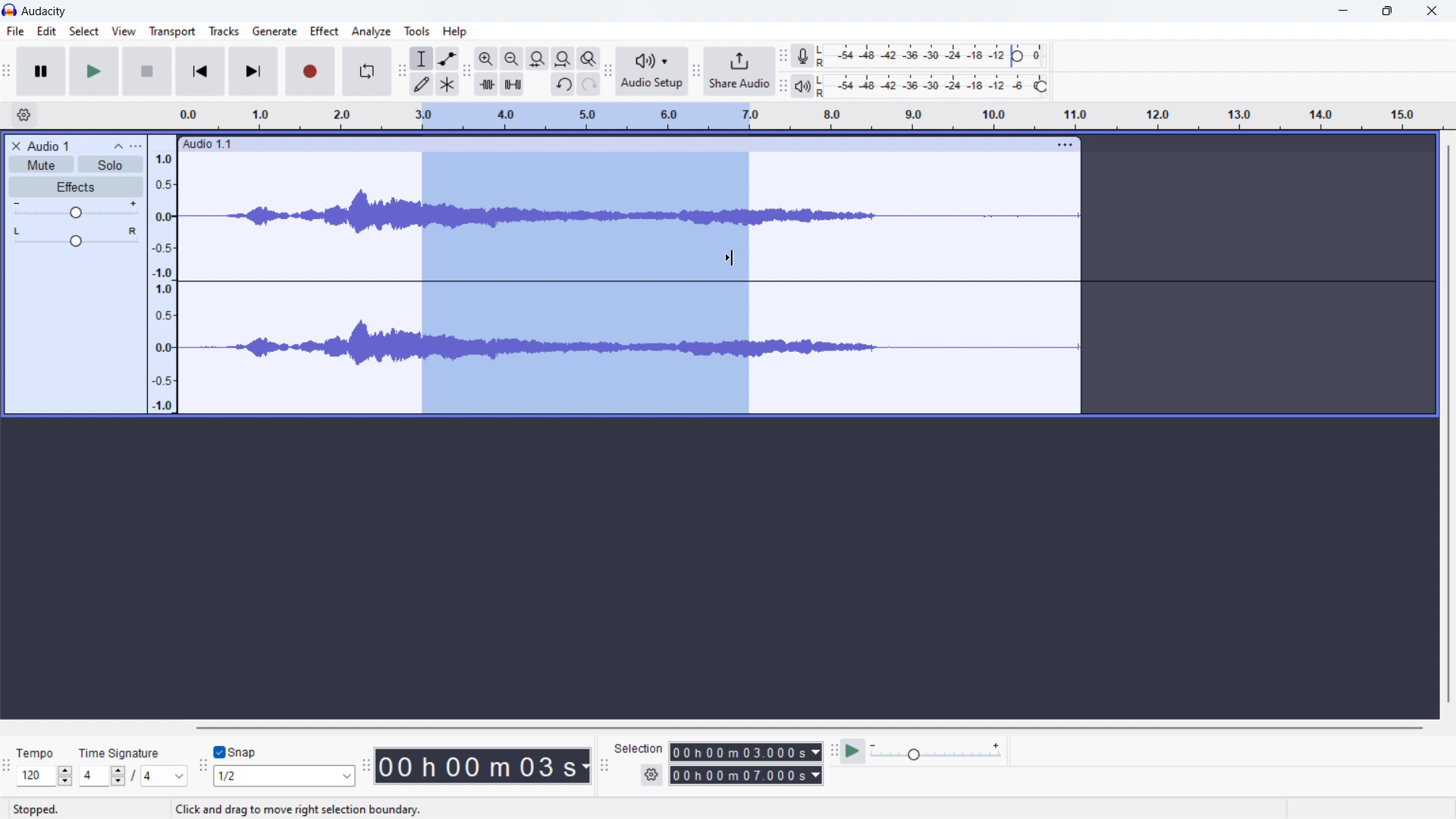 The width and height of the screenshot is (1456, 819). I want to click on more options, so click(1066, 146).